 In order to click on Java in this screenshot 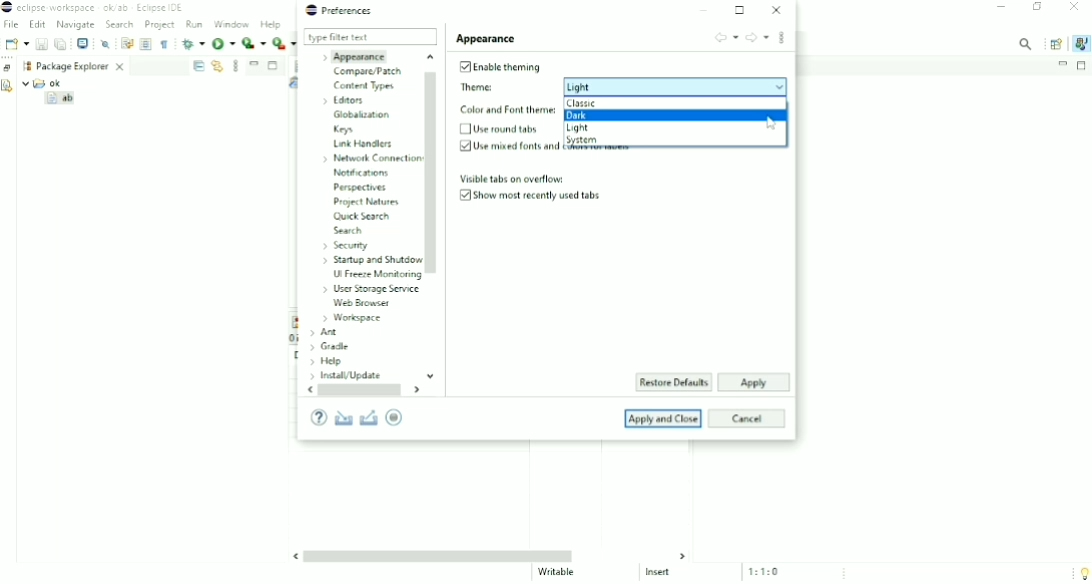, I will do `click(1080, 43)`.